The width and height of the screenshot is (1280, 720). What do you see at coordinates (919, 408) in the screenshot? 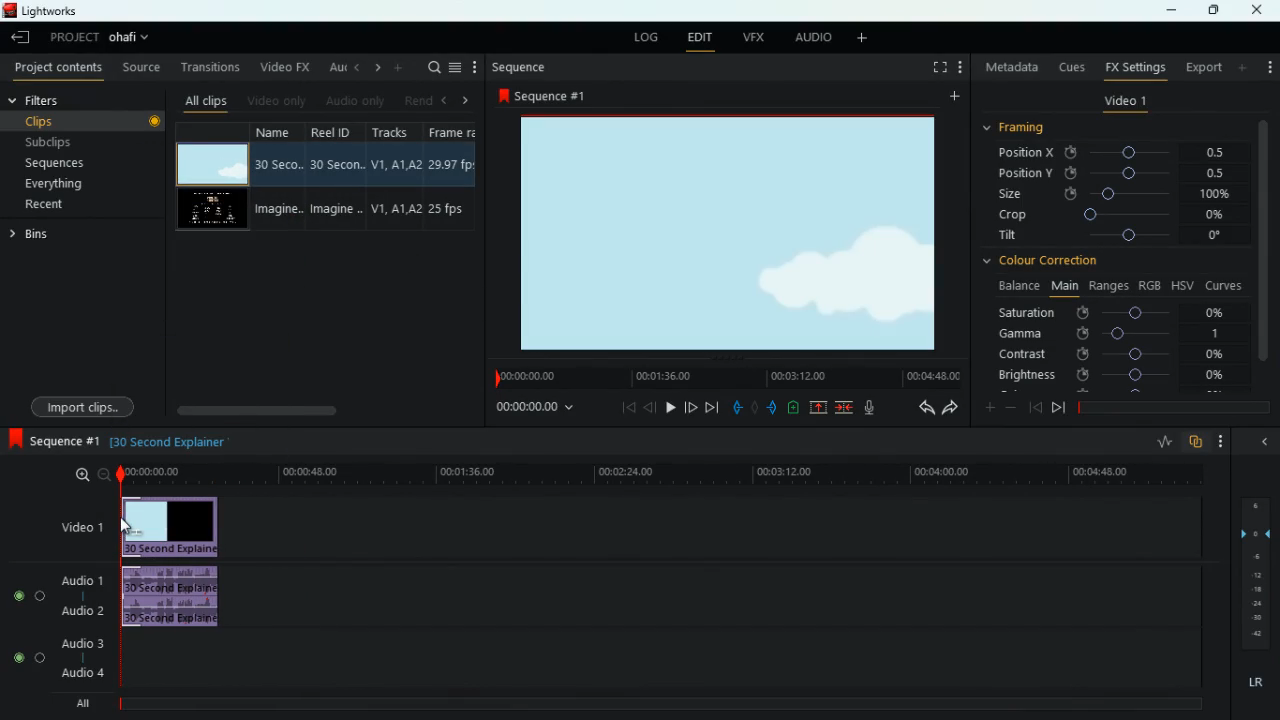
I see `back` at bounding box center [919, 408].